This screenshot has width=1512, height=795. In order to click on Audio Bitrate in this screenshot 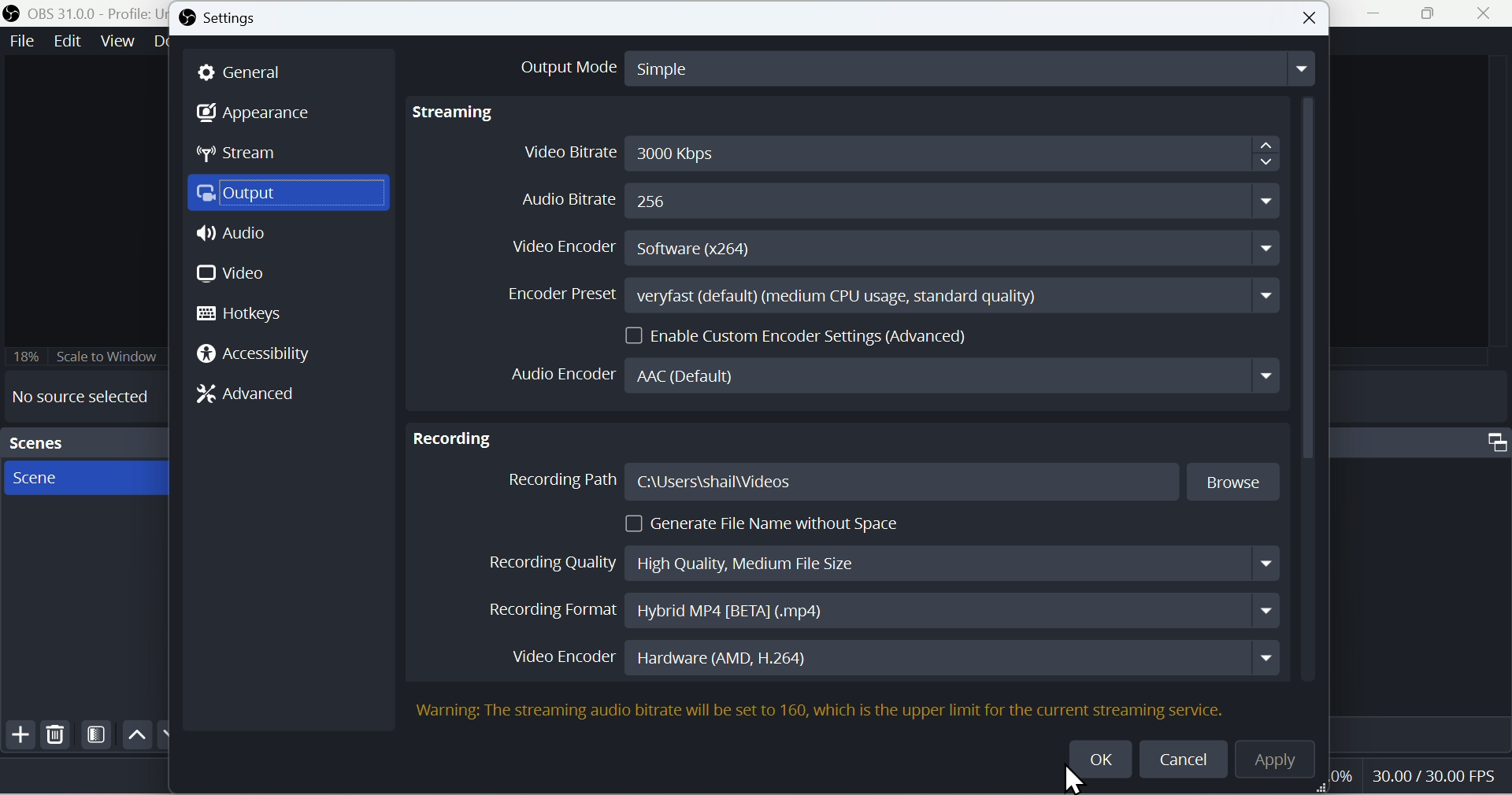, I will do `click(557, 199)`.